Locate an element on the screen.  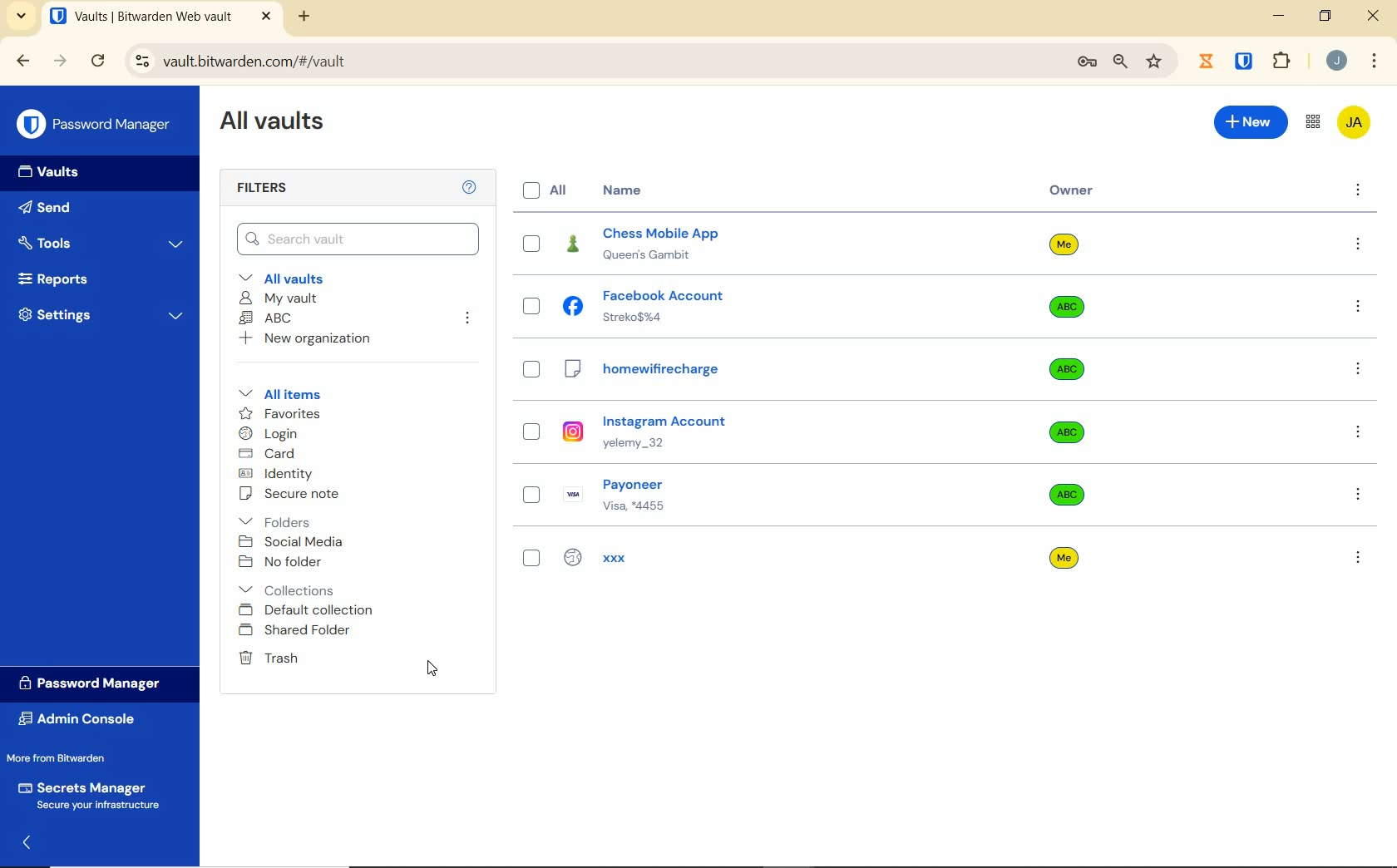
new is located at coordinates (1251, 122).